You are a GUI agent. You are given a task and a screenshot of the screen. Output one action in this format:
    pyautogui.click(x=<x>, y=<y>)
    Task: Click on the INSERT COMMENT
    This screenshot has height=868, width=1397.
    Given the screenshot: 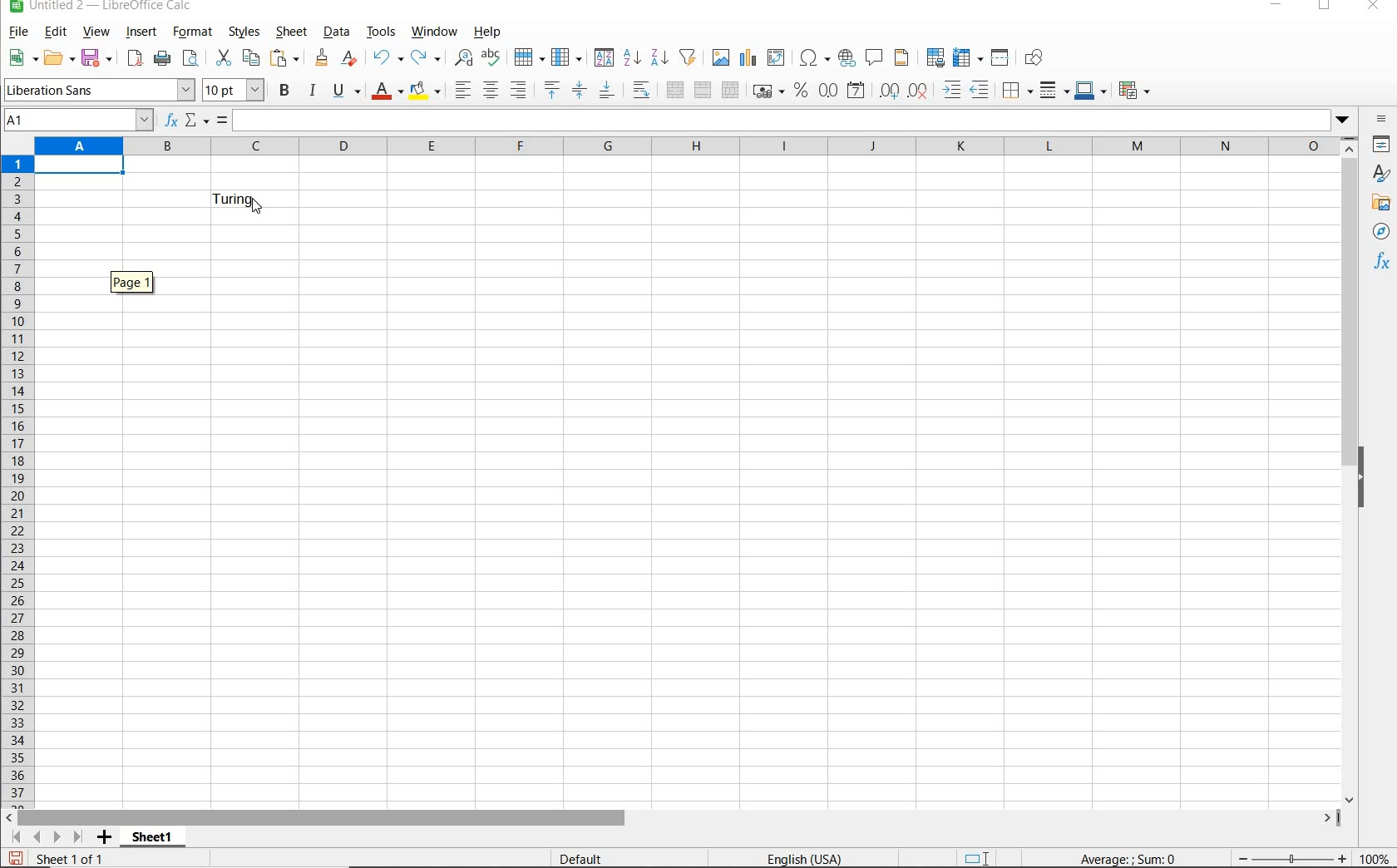 What is the action you would take?
    pyautogui.click(x=876, y=56)
    